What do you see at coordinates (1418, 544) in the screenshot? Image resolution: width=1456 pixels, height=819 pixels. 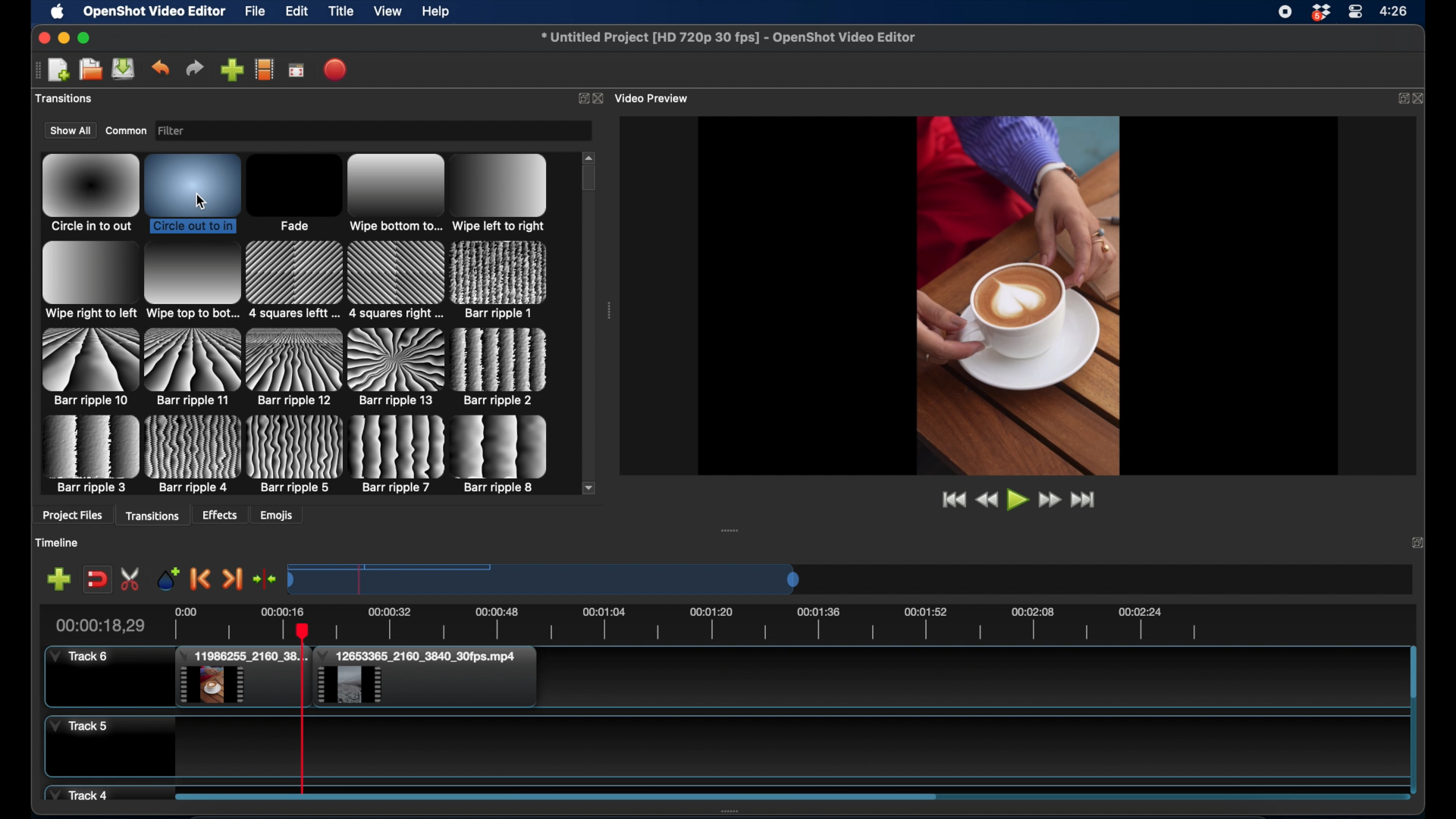 I see `expand` at bounding box center [1418, 544].